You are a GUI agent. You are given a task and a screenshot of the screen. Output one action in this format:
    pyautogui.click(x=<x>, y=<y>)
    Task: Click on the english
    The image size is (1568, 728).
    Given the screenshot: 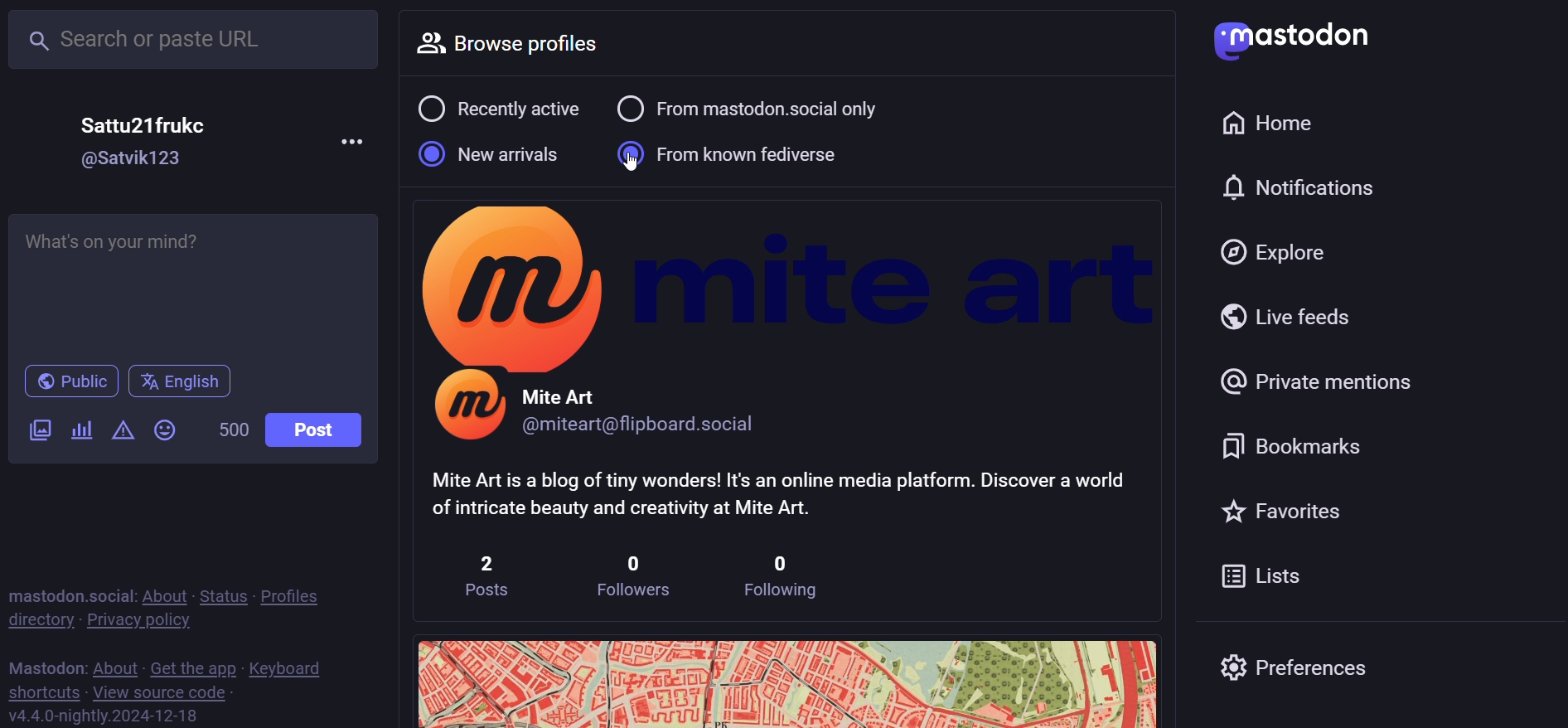 What is the action you would take?
    pyautogui.click(x=181, y=384)
    